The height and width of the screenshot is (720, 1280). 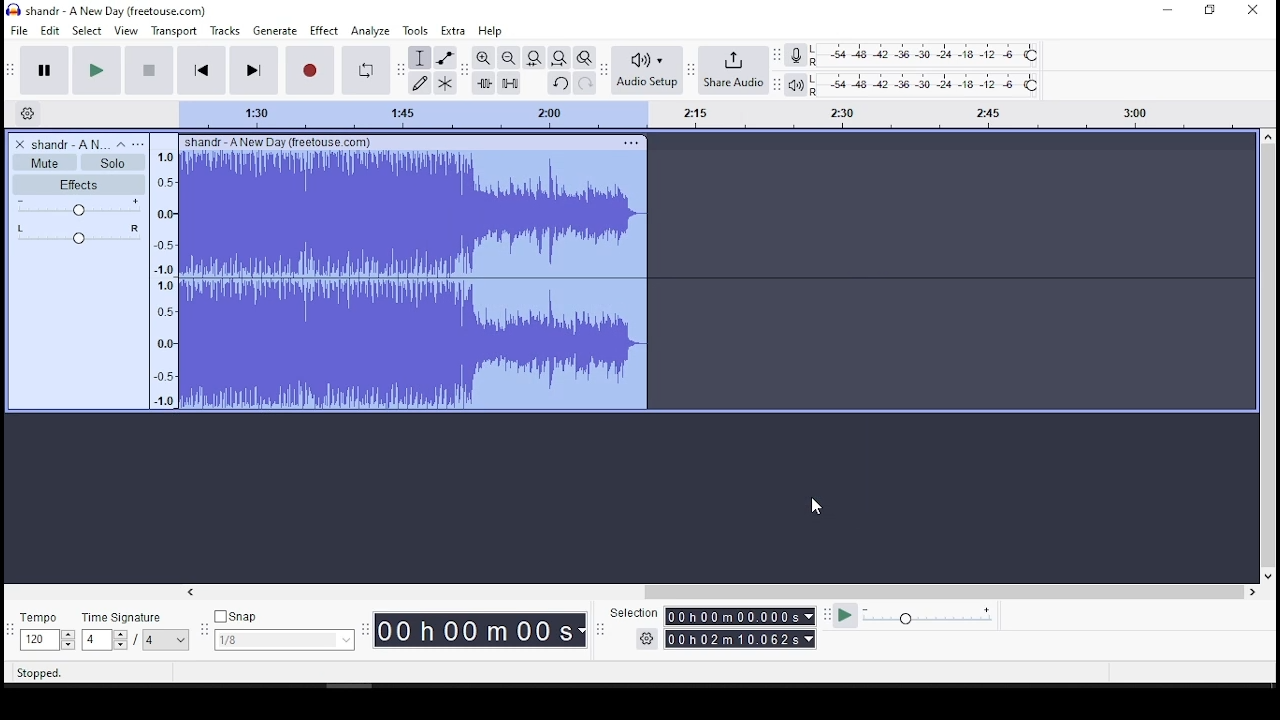 I want to click on frequency scale, so click(x=163, y=284).